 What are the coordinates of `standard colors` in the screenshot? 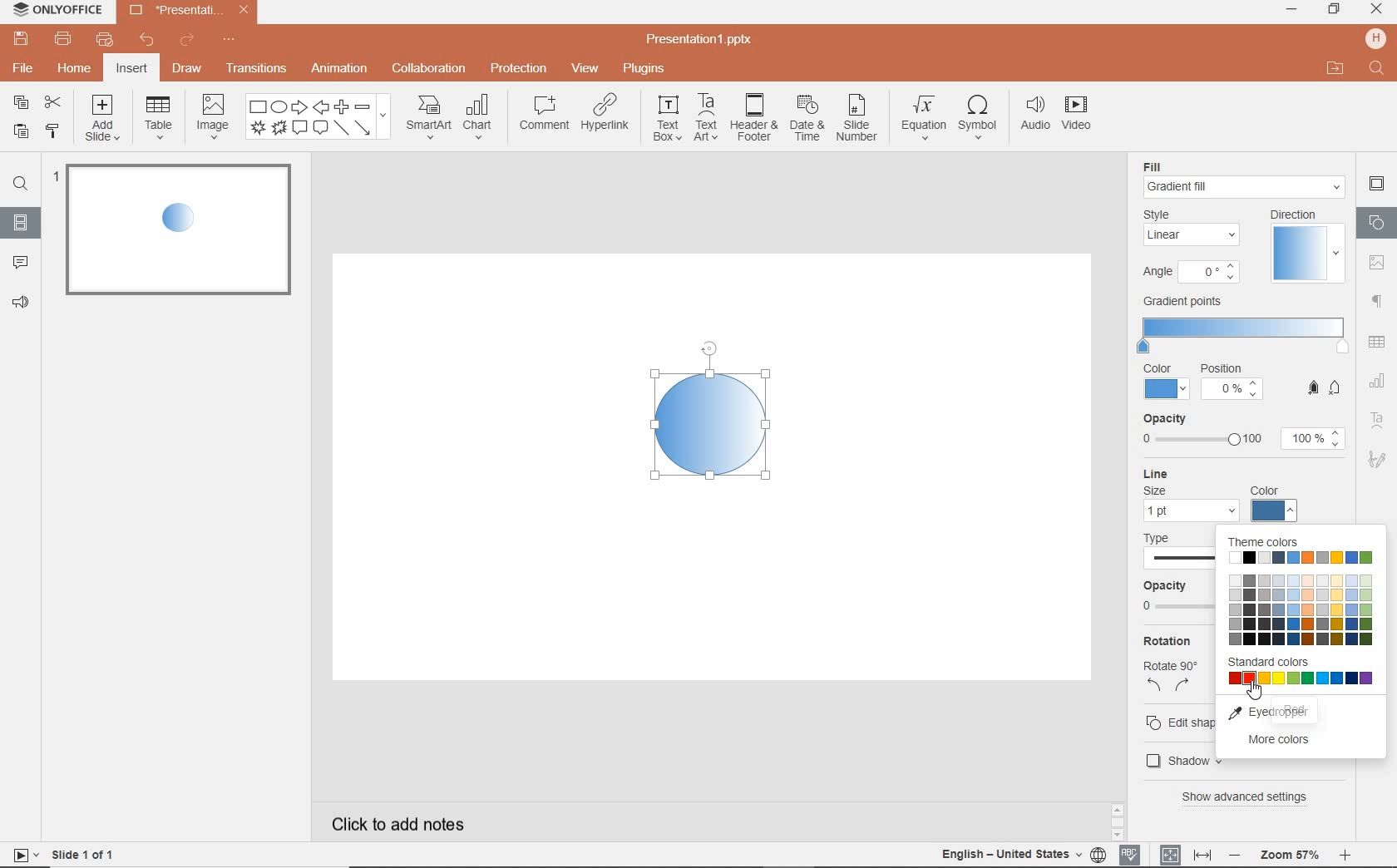 It's located at (1266, 663).